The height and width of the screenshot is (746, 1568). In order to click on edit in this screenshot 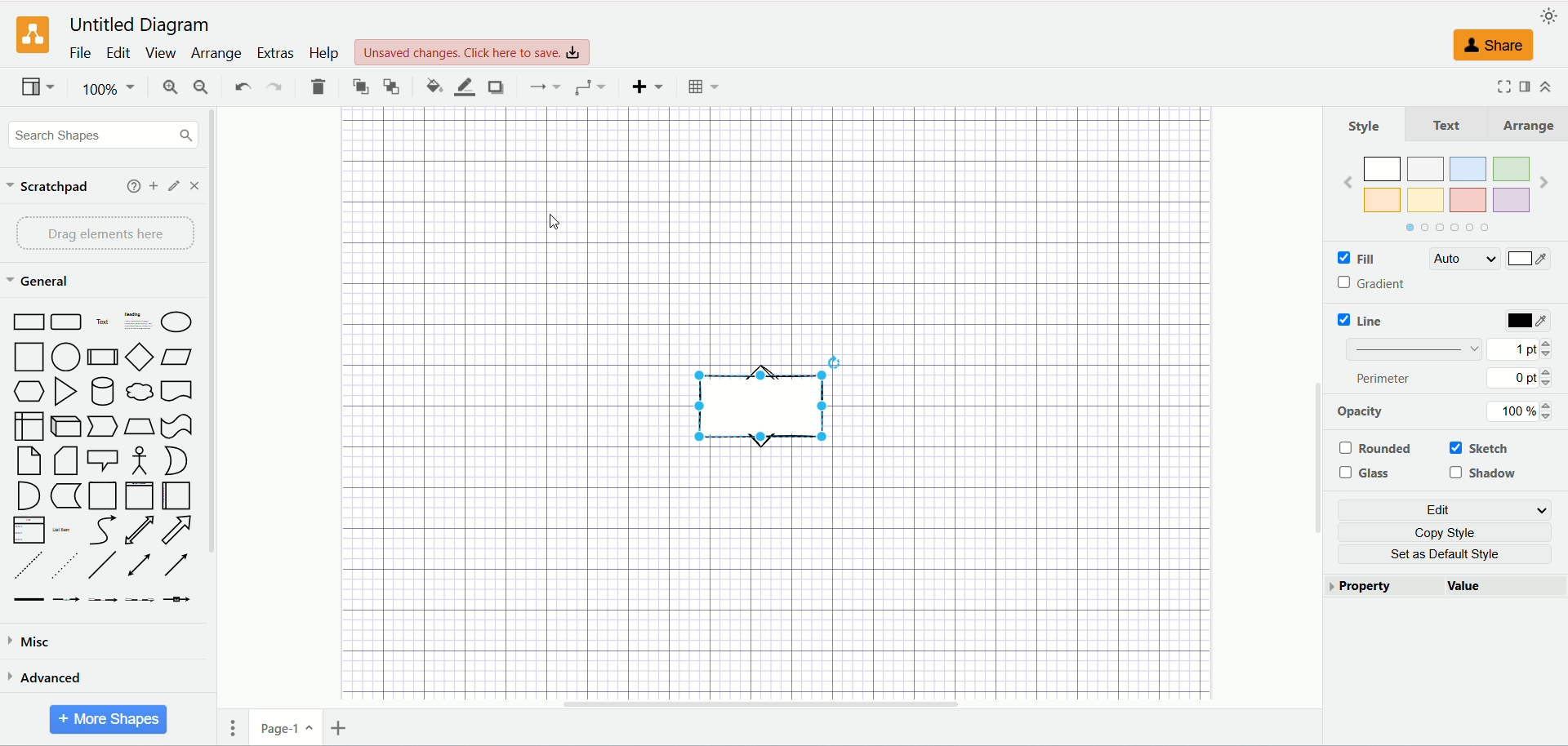, I will do `click(121, 54)`.